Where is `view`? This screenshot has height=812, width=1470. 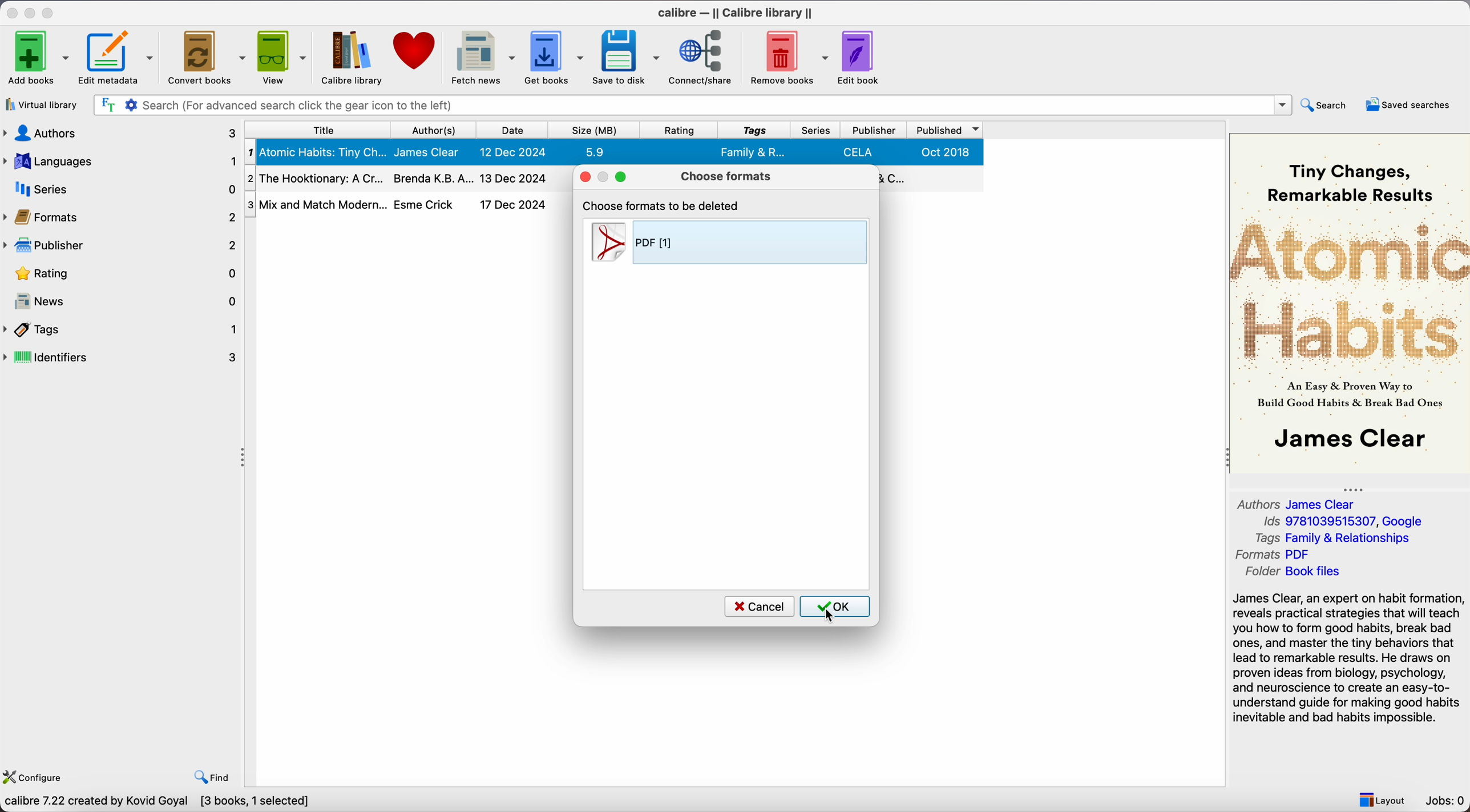
view is located at coordinates (282, 57).